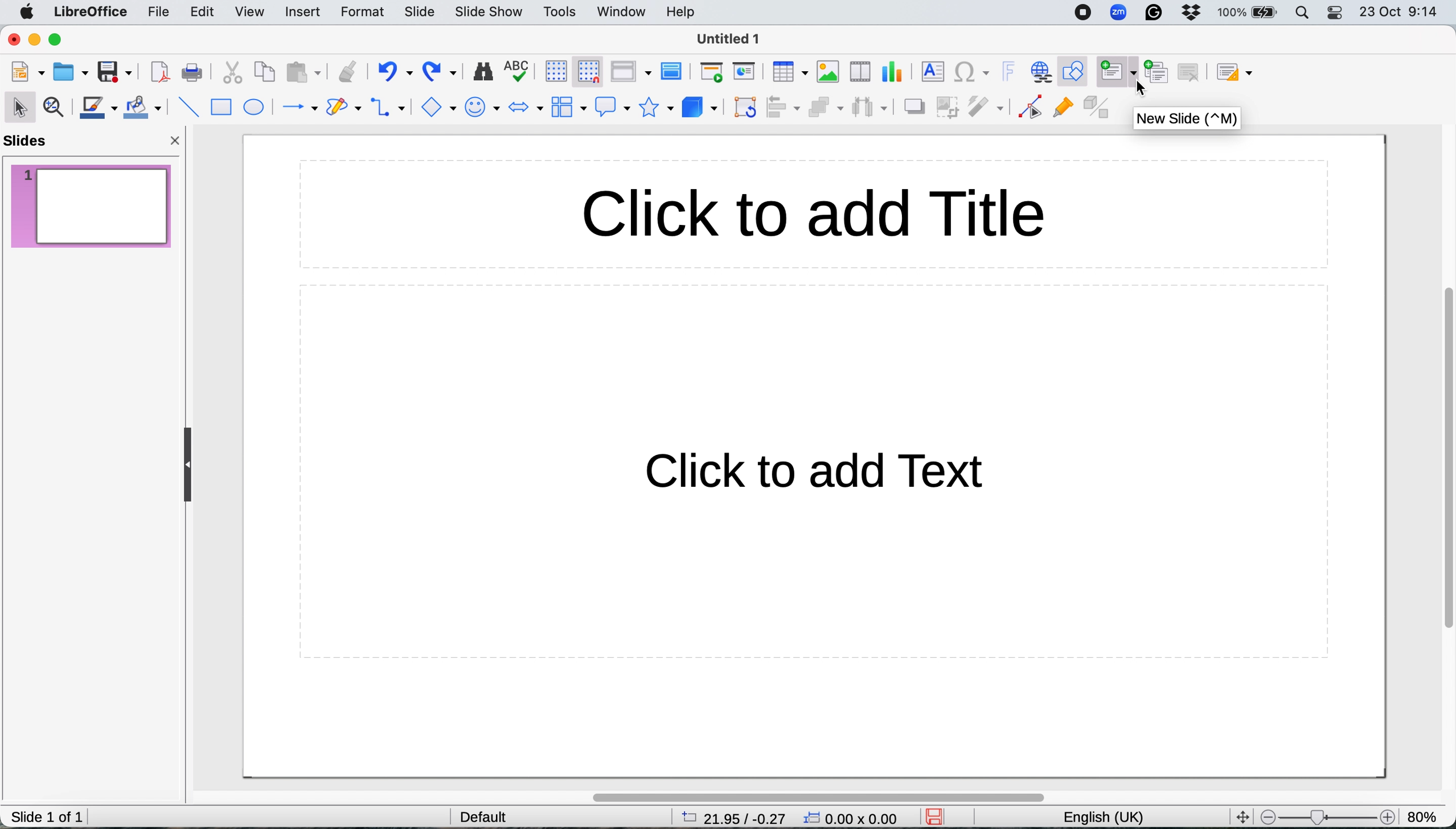 The height and width of the screenshot is (829, 1456). I want to click on undo, so click(395, 72).